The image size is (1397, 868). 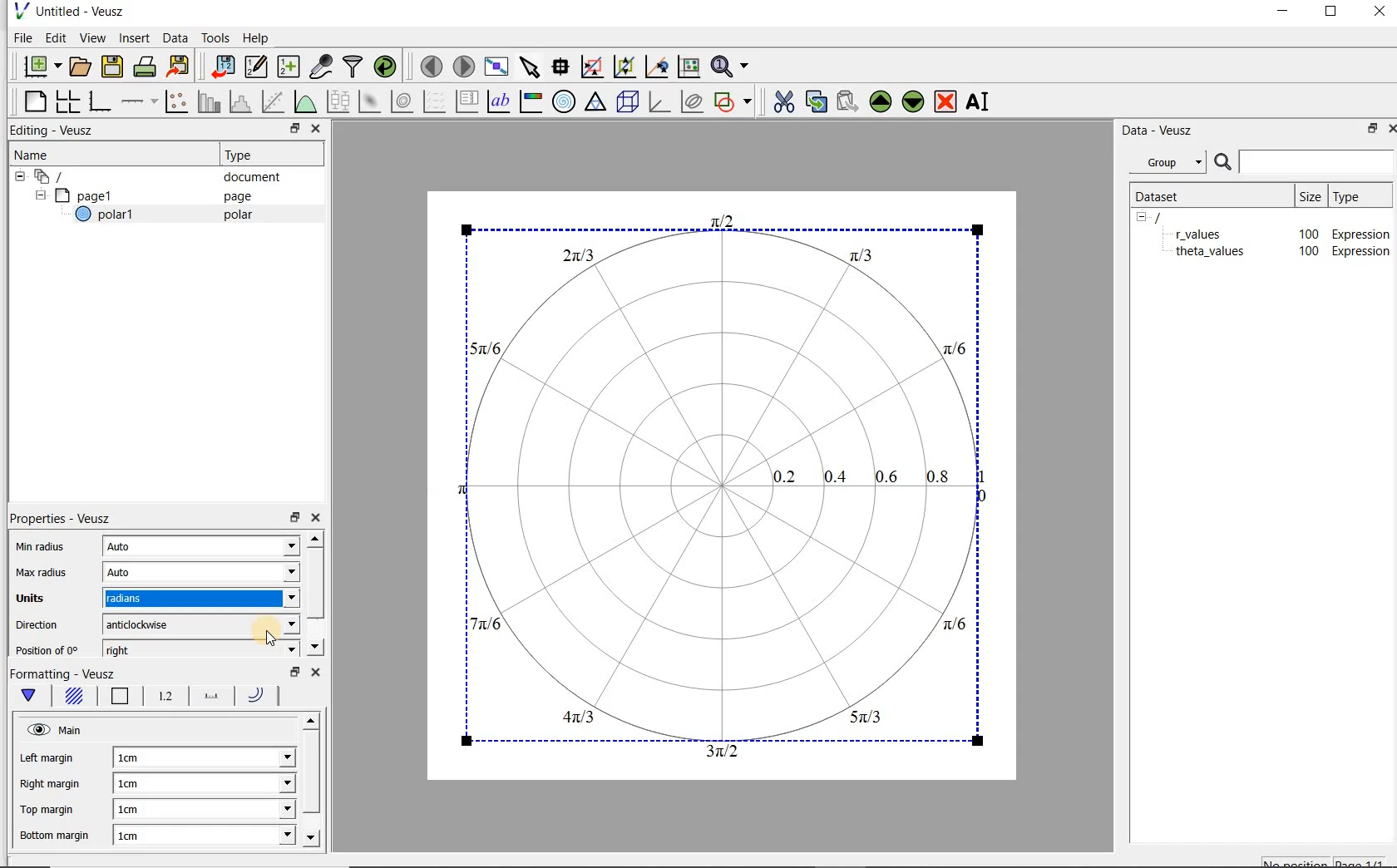 What do you see at coordinates (210, 101) in the screenshot?
I see `plot bar charts` at bounding box center [210, 101].